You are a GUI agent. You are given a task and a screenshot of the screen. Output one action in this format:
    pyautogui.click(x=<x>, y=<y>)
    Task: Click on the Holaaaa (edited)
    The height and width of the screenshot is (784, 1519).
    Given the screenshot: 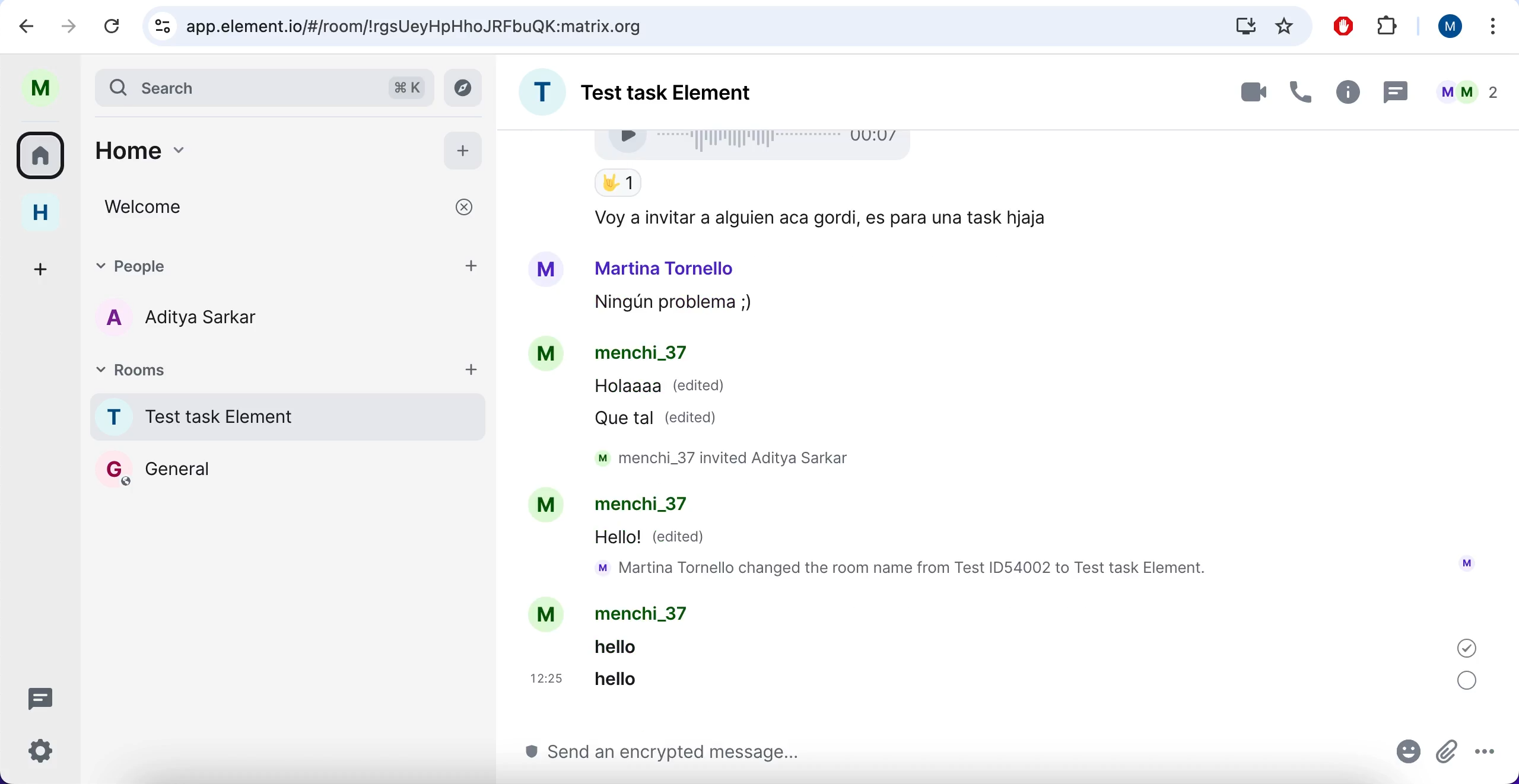 What is the action you would take?
    pyautogui.click(x=665, y=385)
    